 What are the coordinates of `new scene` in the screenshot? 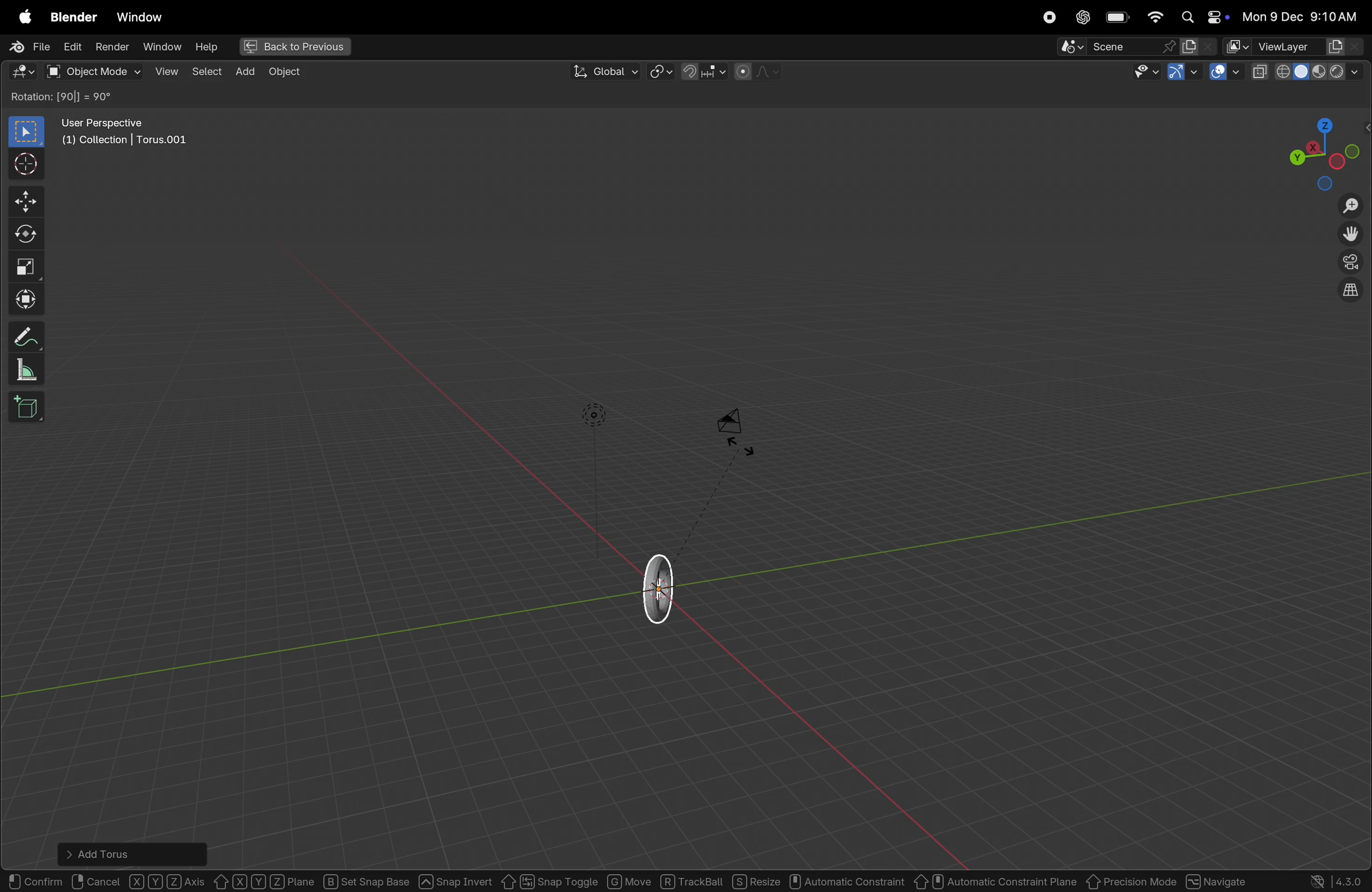 It's located at (1198, 47).